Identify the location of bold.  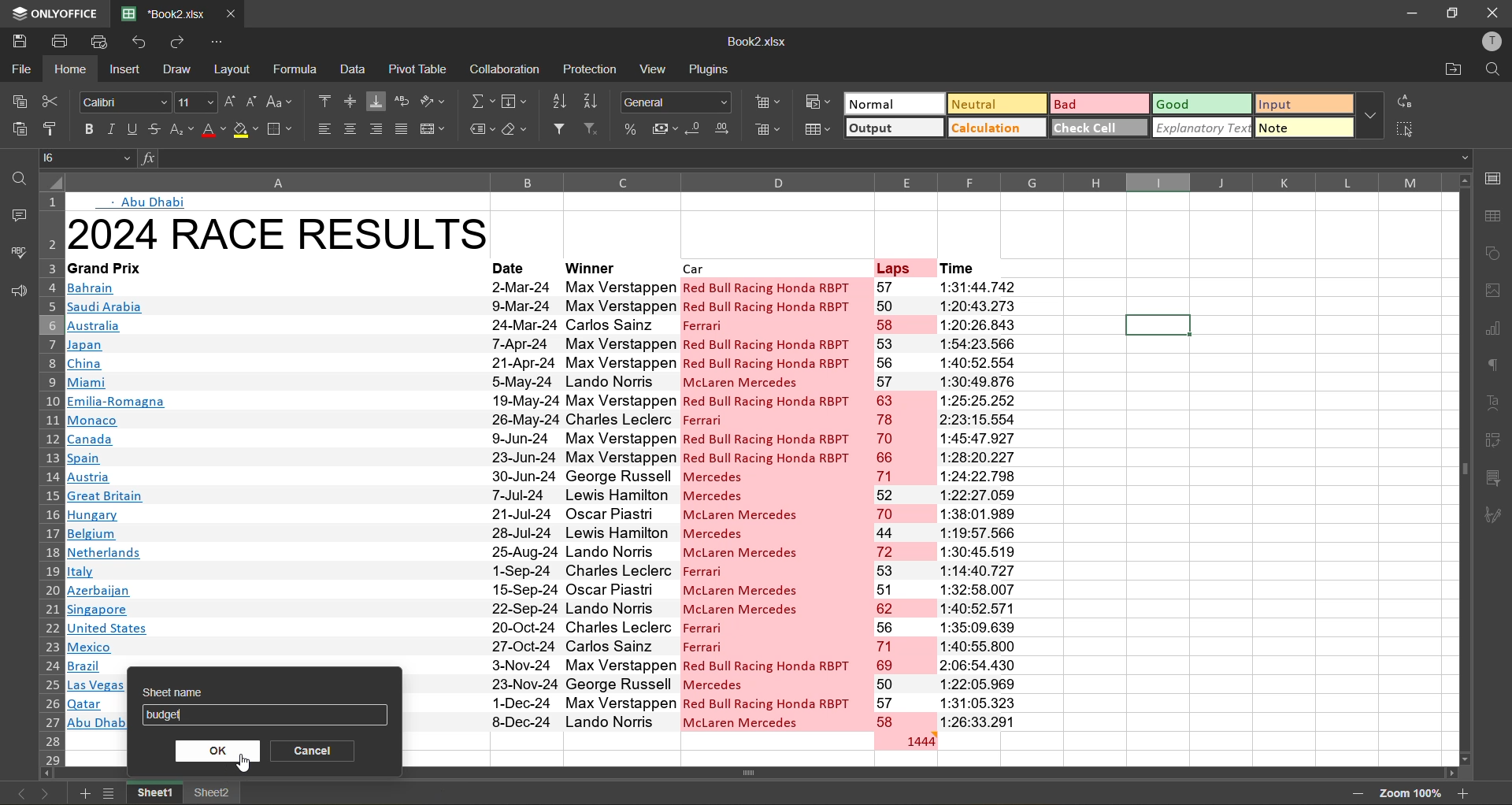
(85, 129).